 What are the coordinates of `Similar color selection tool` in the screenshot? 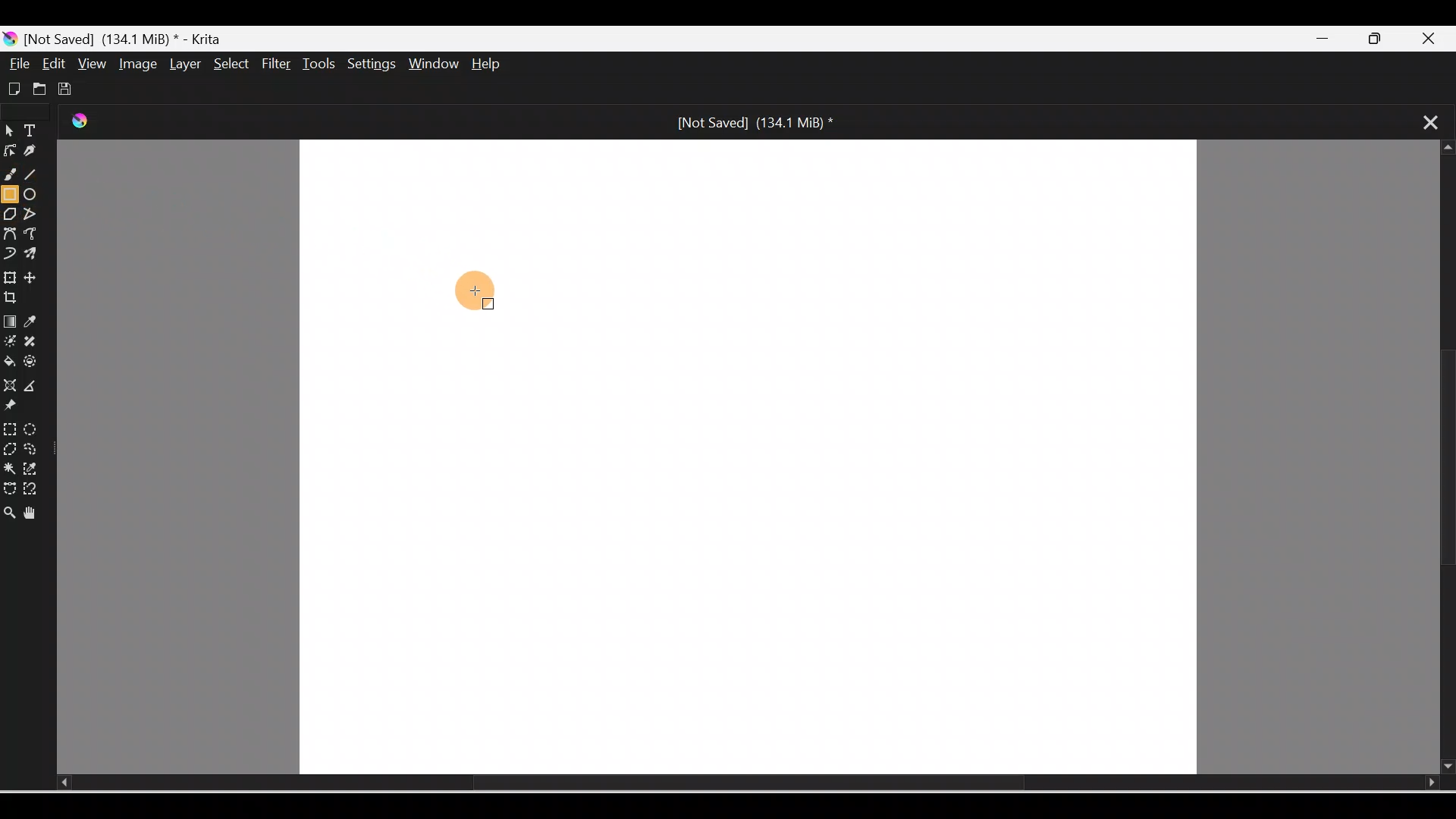 It's located at (33, 467).